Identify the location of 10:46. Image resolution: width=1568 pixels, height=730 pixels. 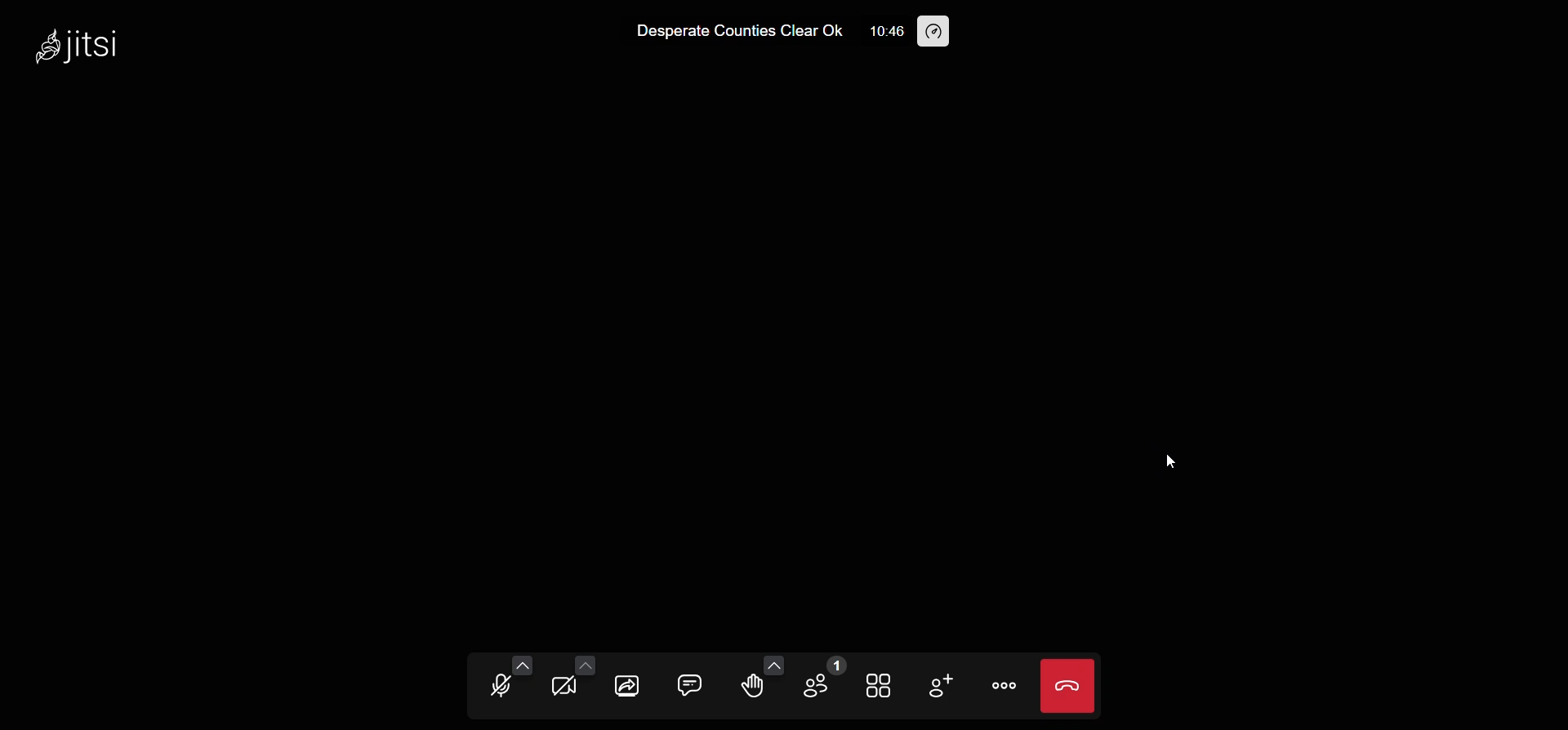
(886, 33).